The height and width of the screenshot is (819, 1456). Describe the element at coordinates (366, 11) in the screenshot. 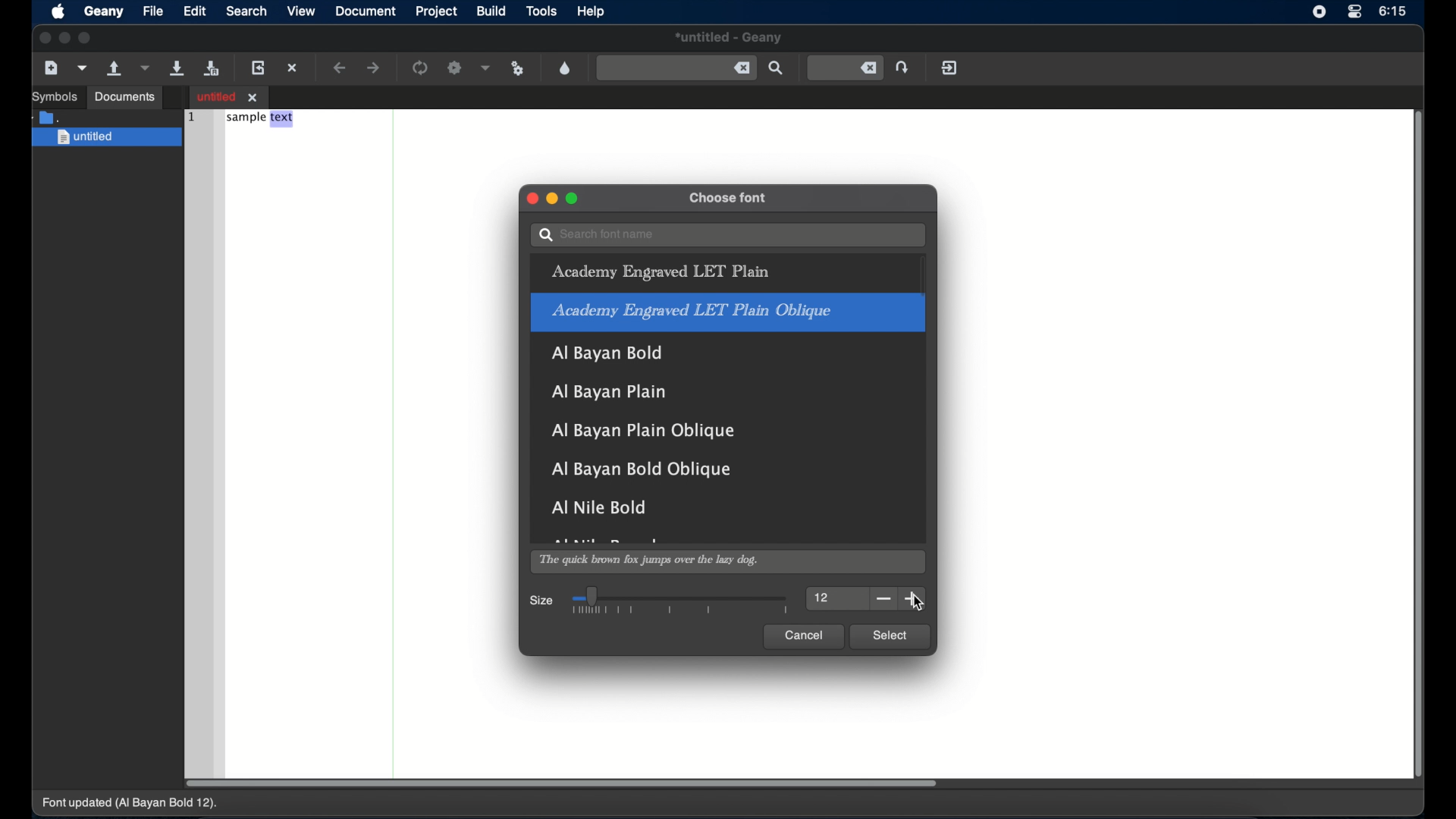

I see `document` at that location.